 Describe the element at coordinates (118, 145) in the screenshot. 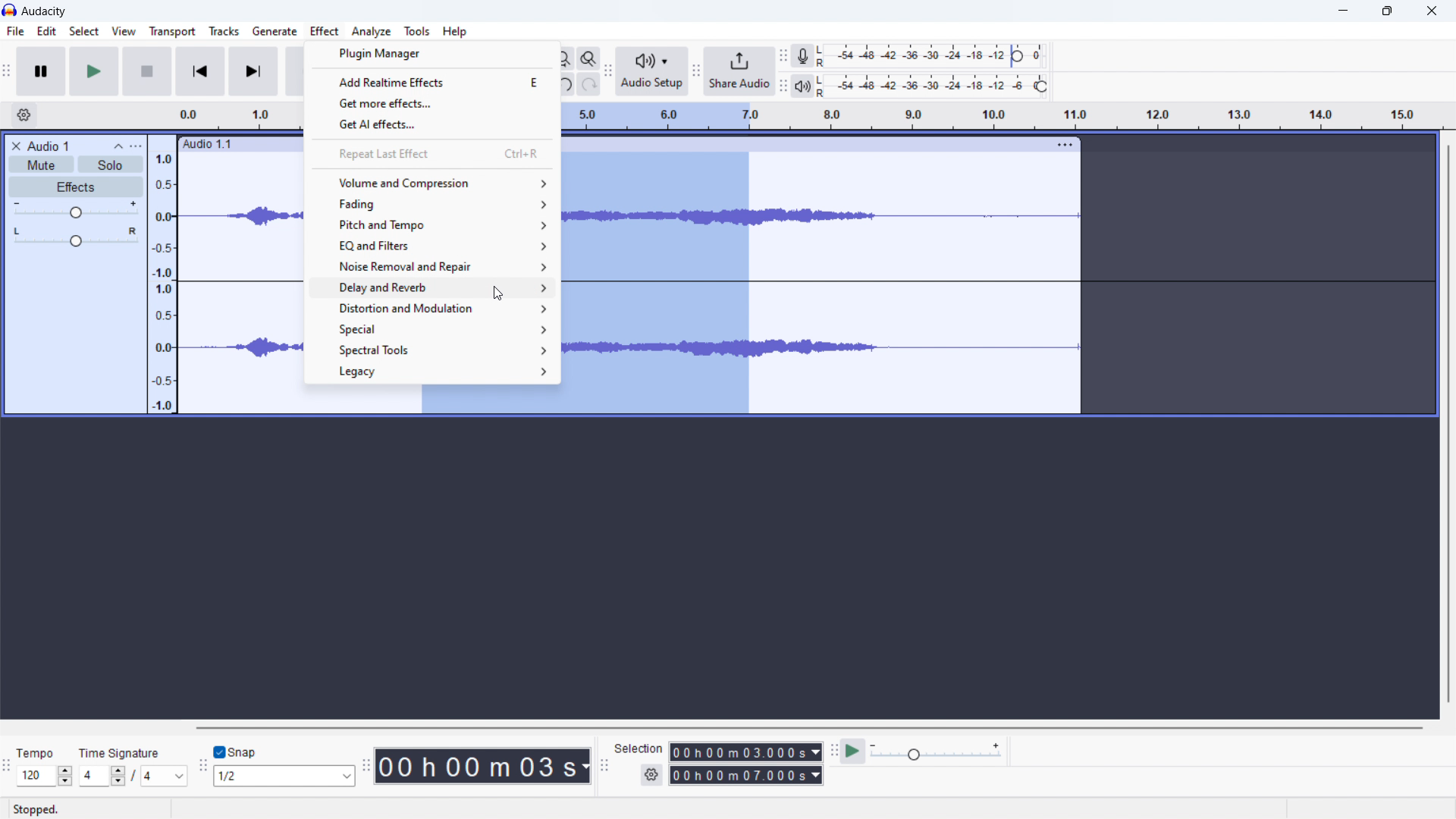

I see `collapse` at that location.